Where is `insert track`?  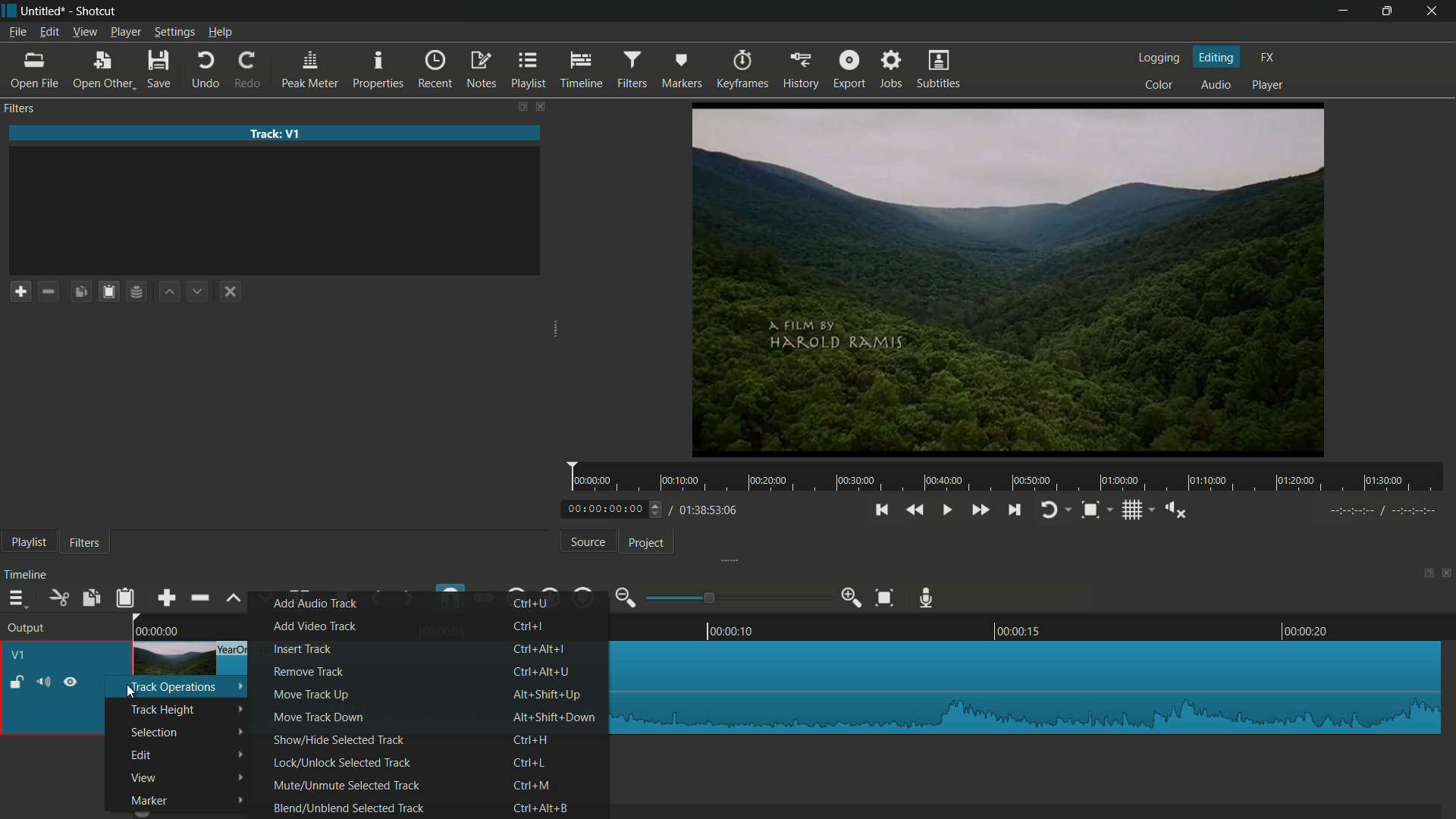
insert track is located at coordinates (305, 649).